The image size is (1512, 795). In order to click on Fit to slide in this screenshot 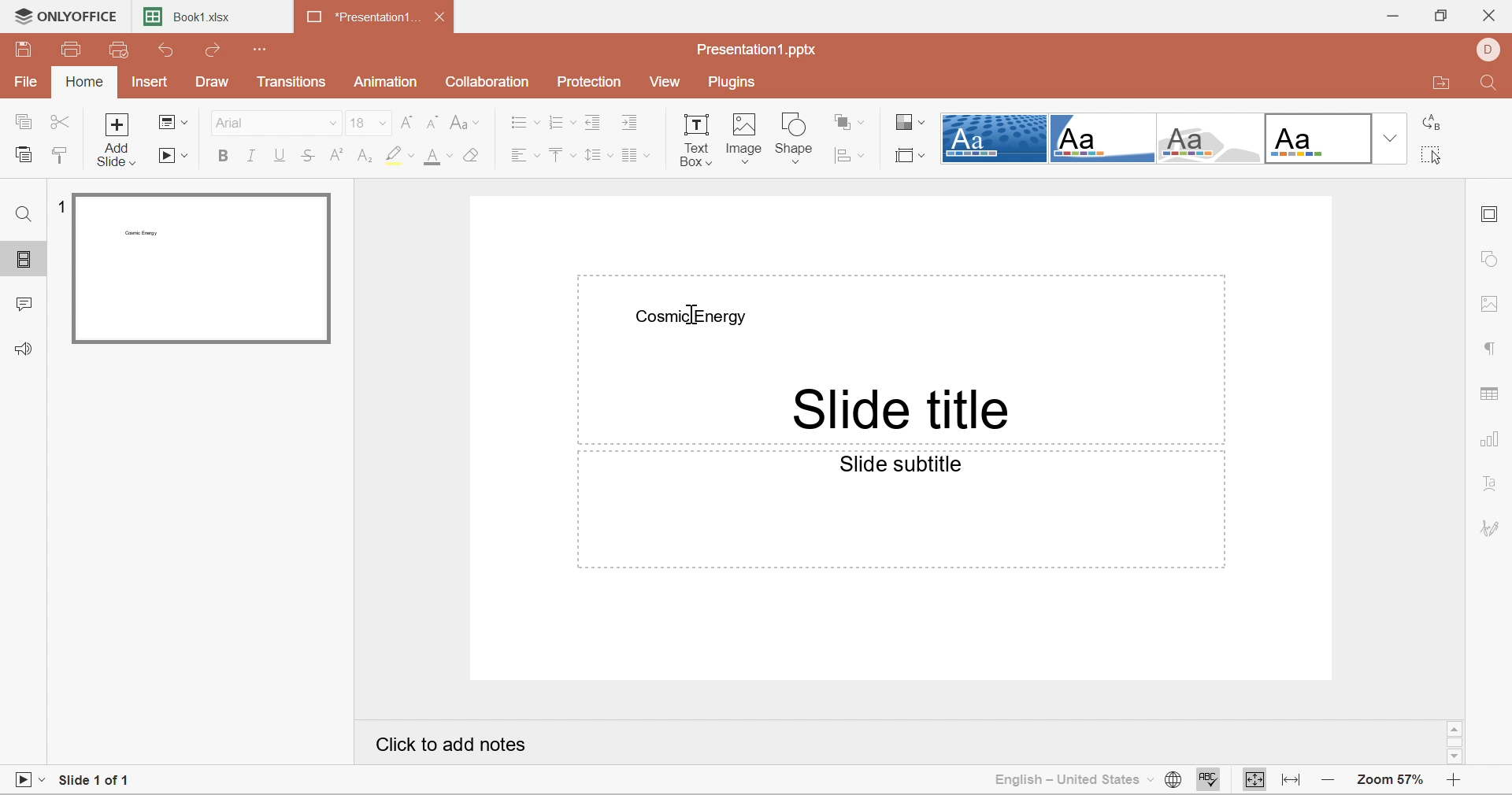, I will do `click(1251, 780)`.